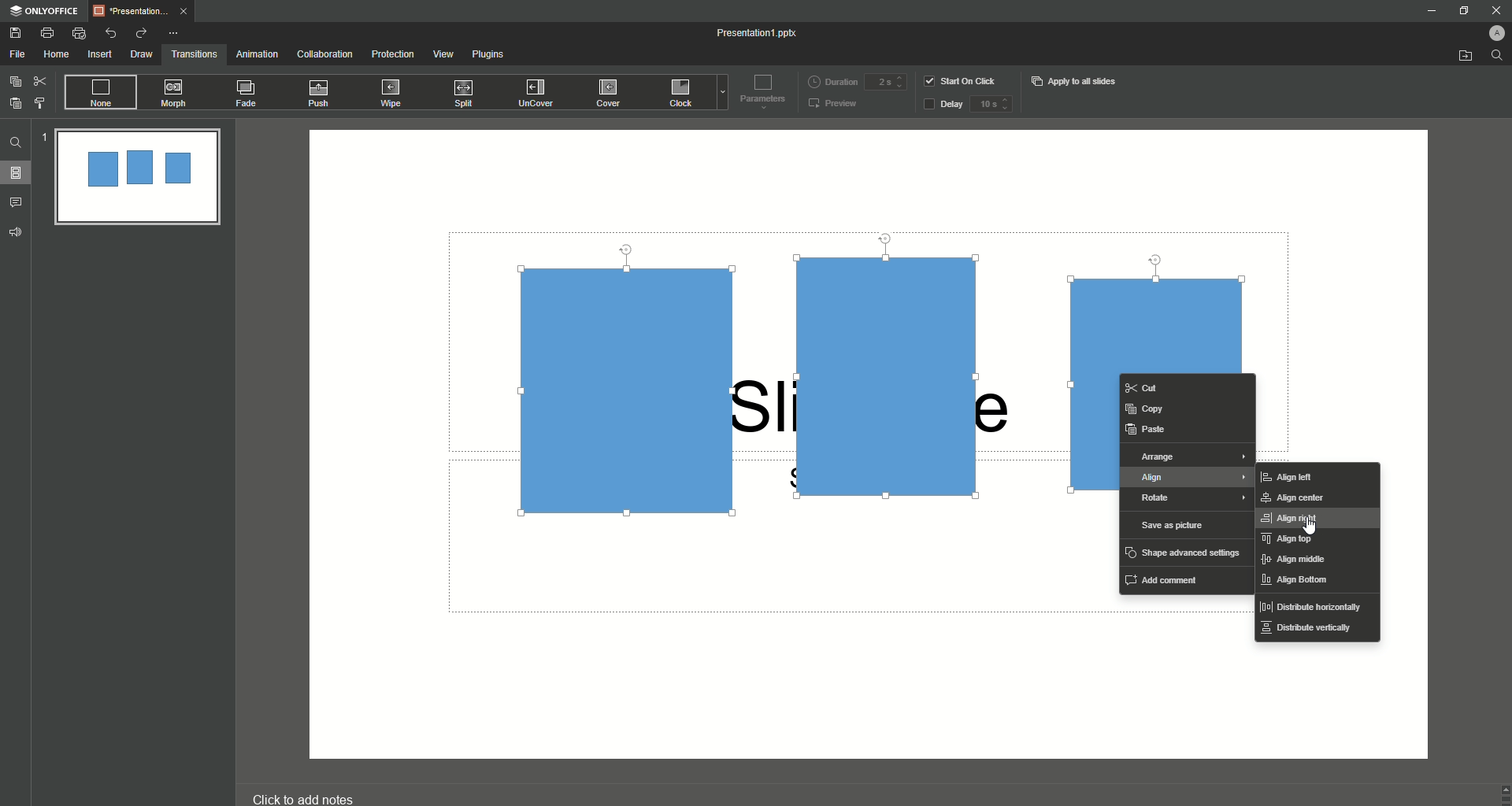  Describe the element at coordinates (614, 390) in the screenshot. I see `shape 1 selected` at that location.